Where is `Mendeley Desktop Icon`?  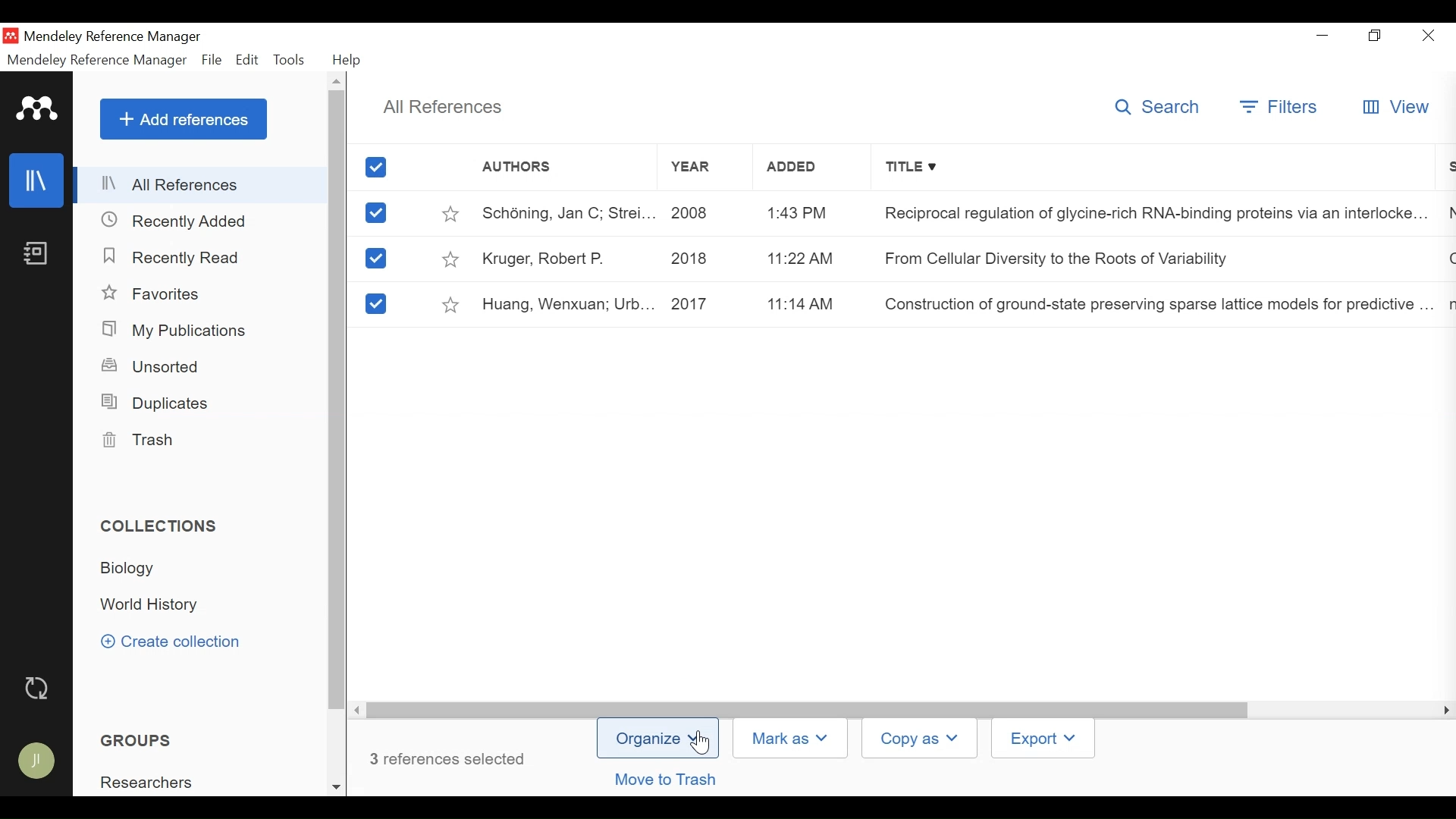 Mendeley Desktop Icon is located at coordinates (11, 36).